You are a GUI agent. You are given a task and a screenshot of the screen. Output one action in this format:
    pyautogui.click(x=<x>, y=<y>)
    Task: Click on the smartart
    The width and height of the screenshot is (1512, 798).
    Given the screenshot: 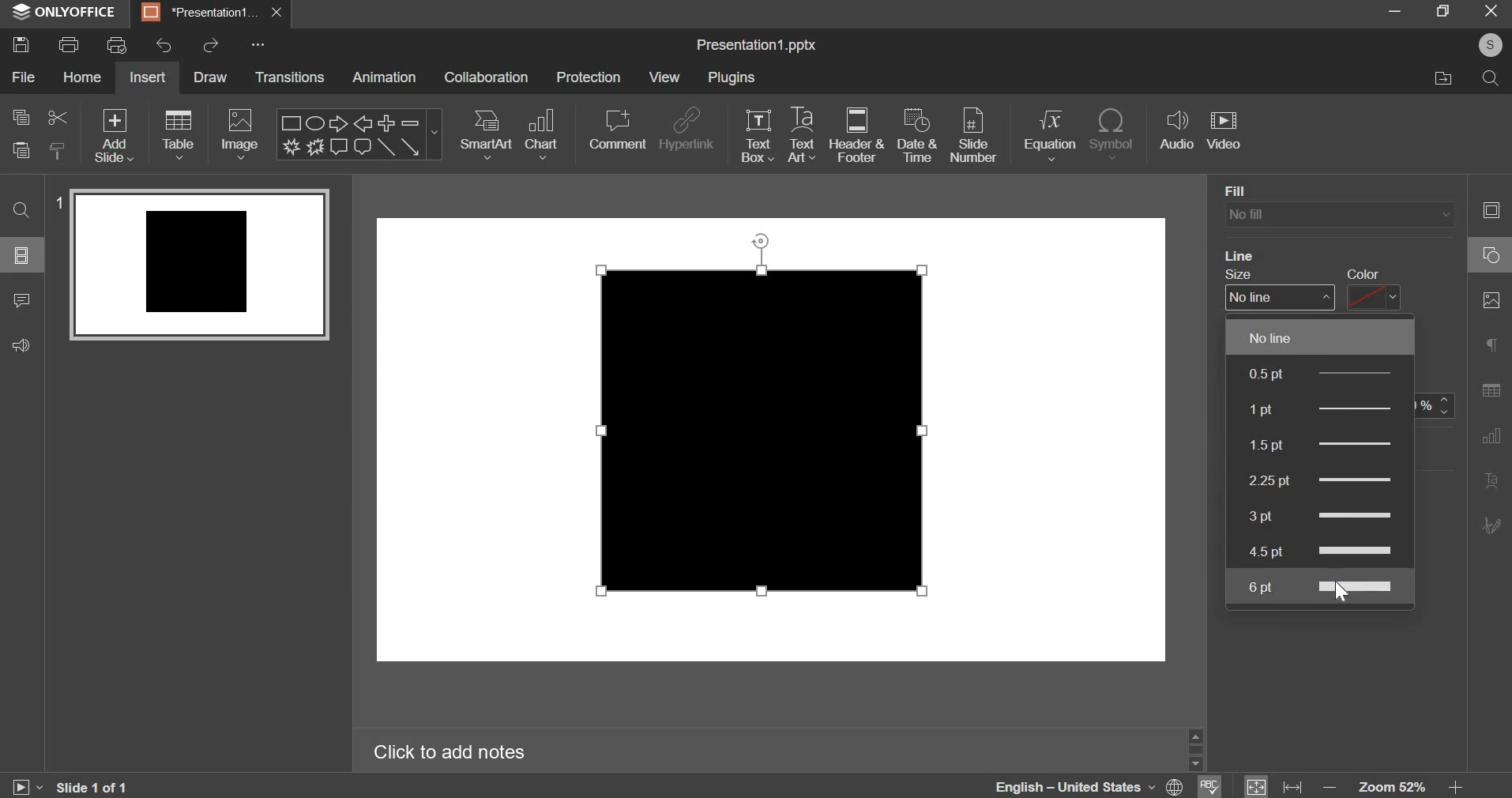 What is the action you would take?
    pyautogui.click(x=487, y=134)
    